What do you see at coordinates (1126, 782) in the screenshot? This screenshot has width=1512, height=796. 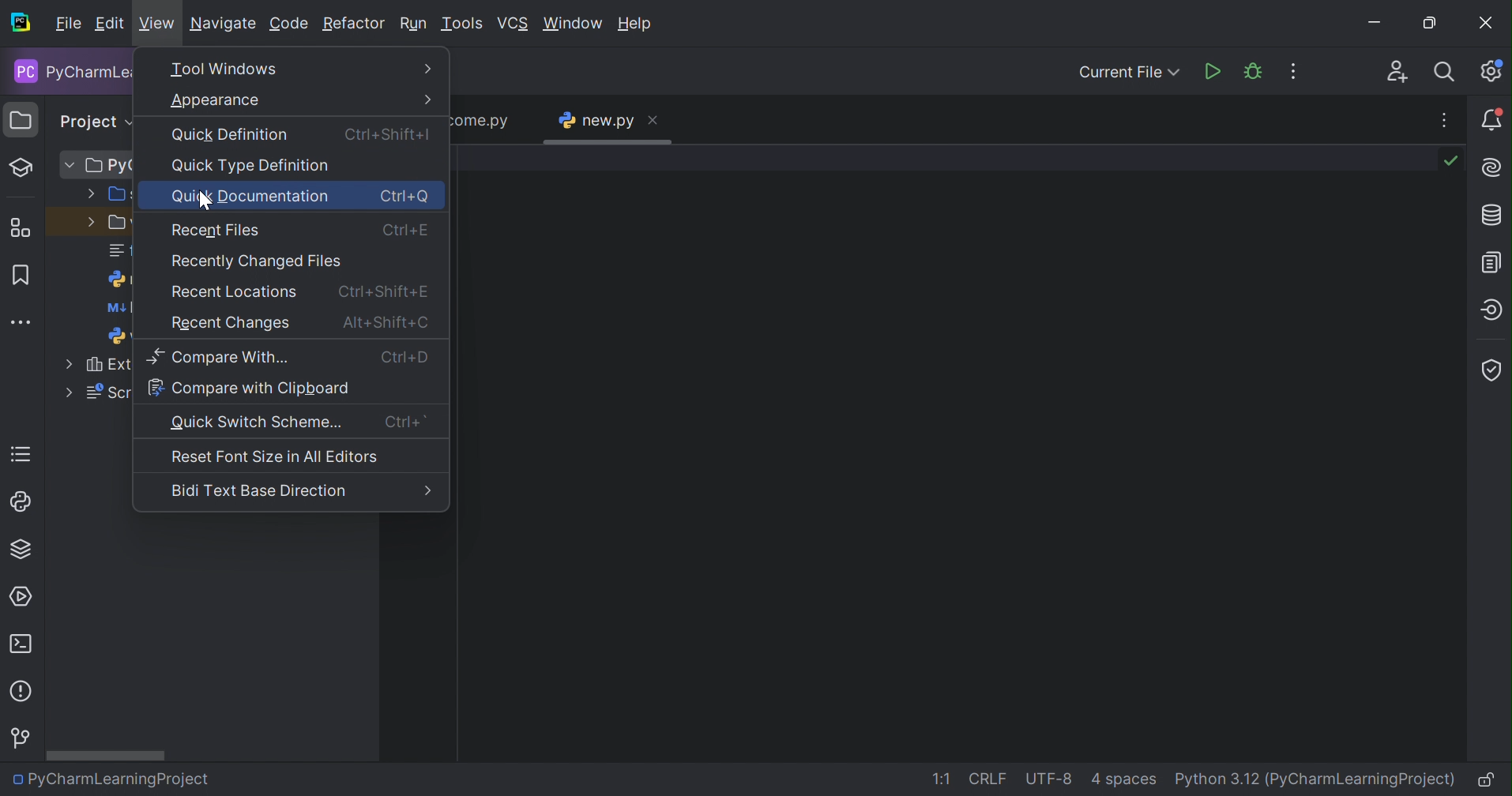 I see `4 spaces` at bounding box center [1126, 782].